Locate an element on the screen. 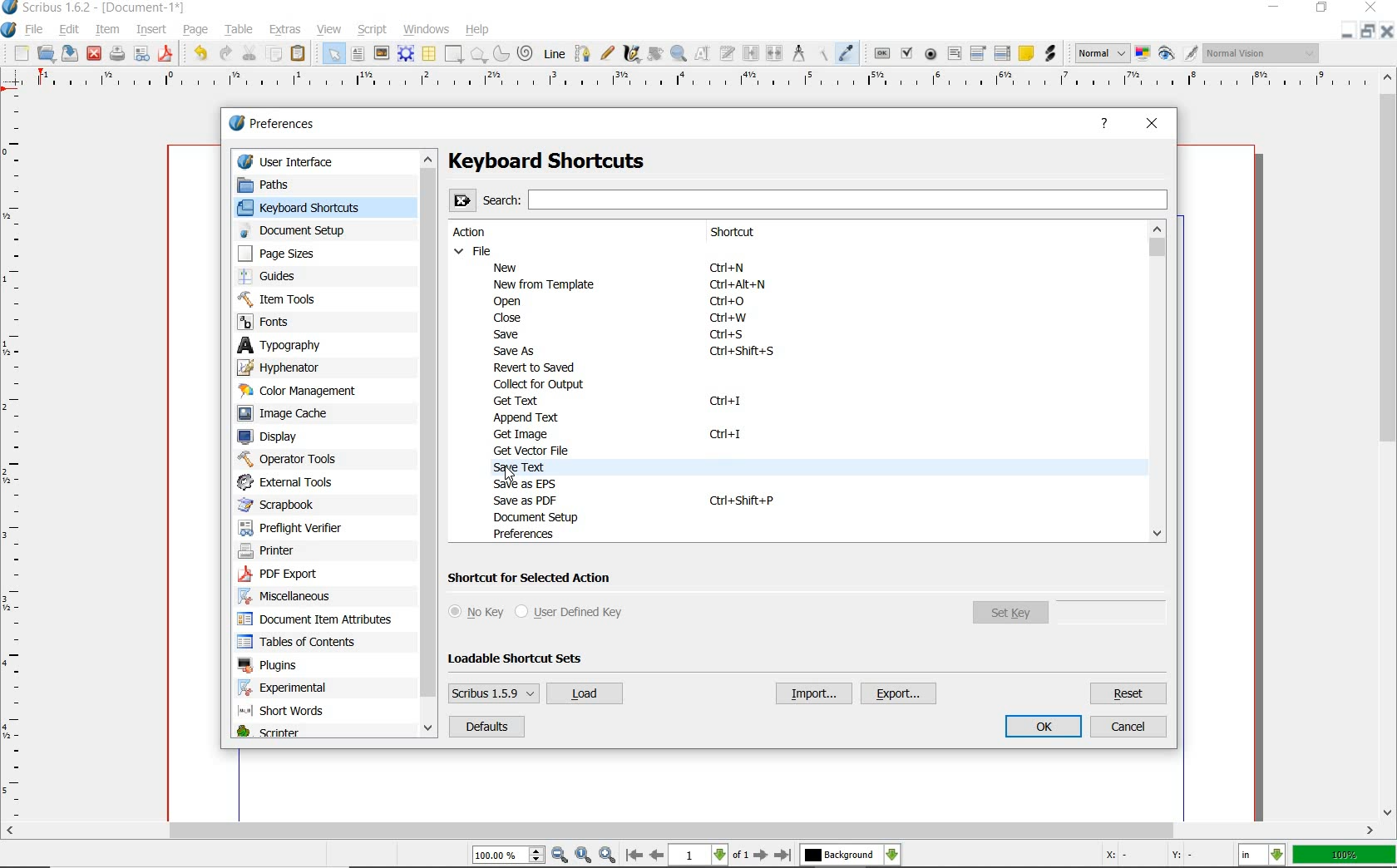  restore is located at coordinates (1345, 32).